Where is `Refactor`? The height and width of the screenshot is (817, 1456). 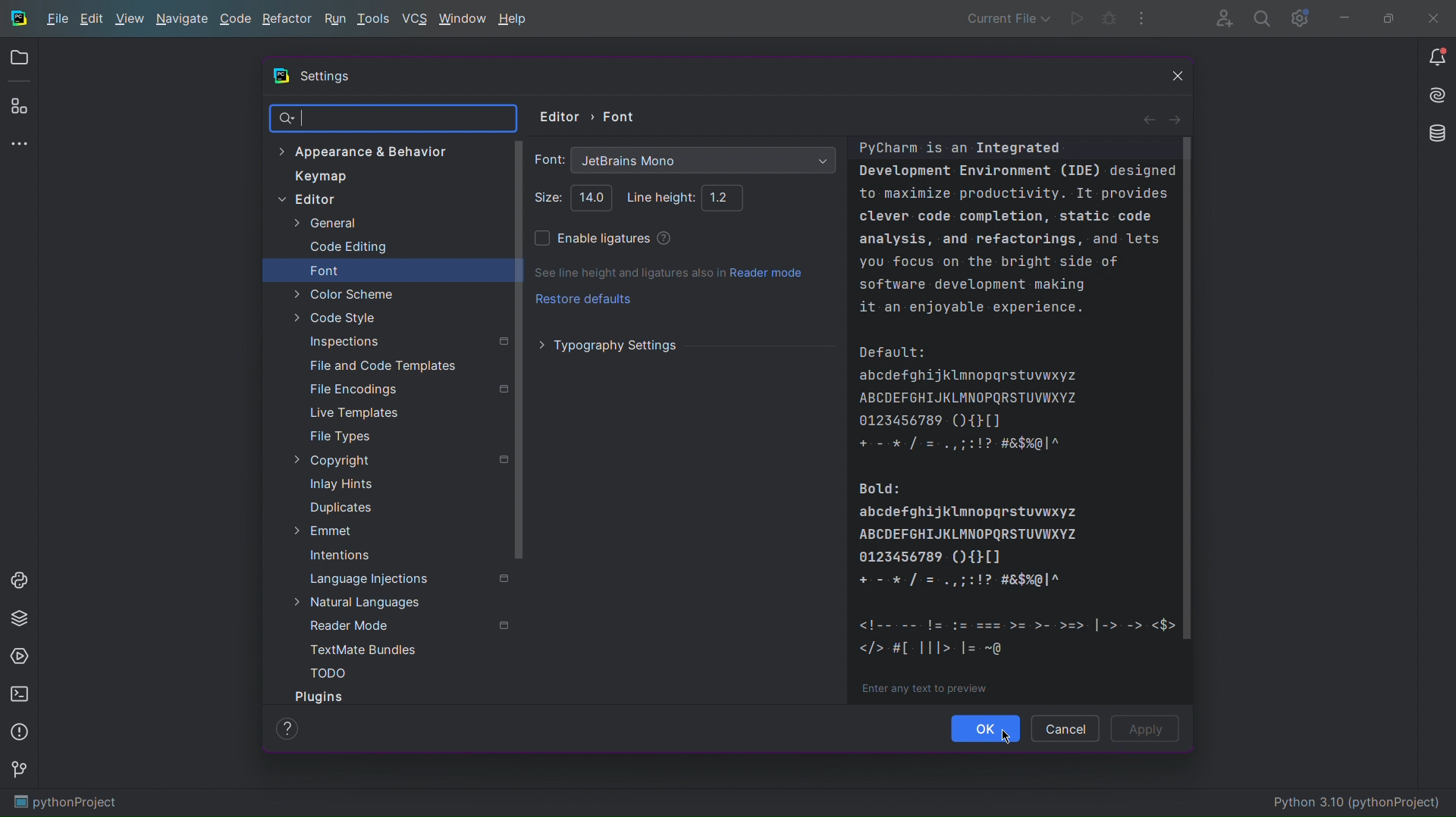 Refactor is located at coordinates (287, 21).